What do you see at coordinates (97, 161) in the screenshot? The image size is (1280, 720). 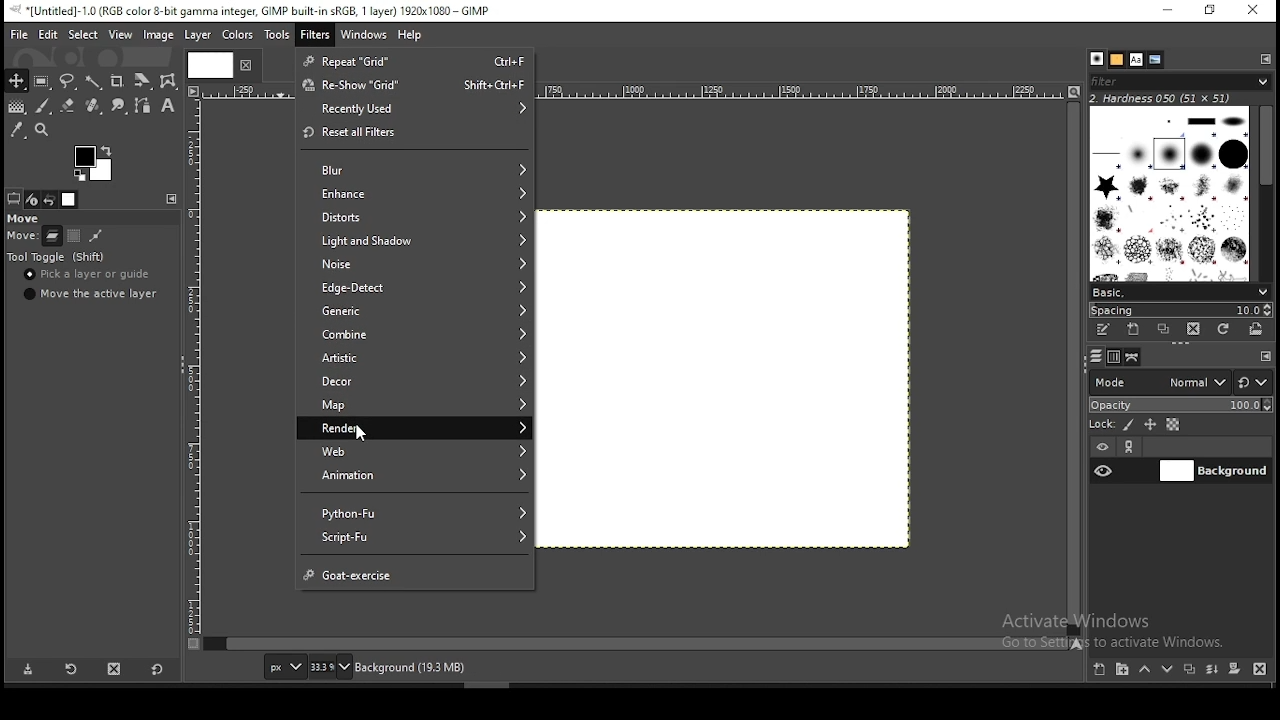 I see `colors` at bounding box center [97, 161].